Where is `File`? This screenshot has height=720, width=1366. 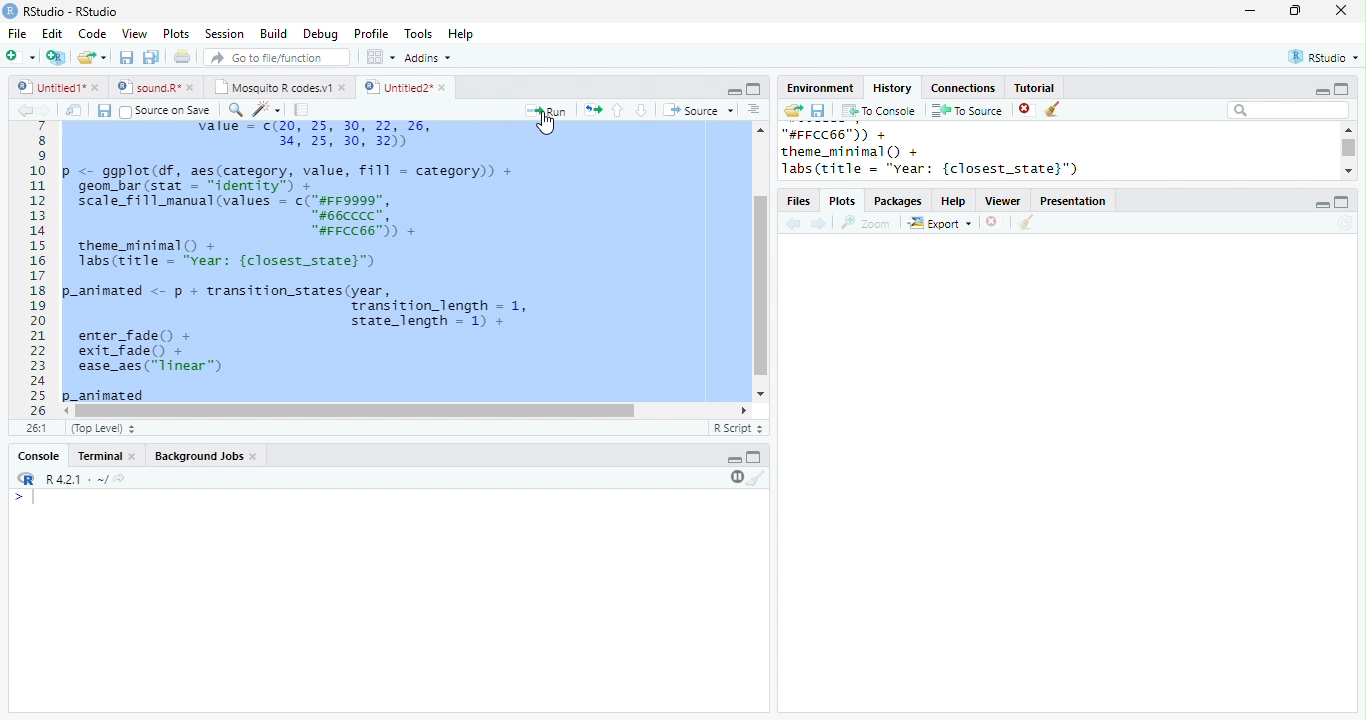 File is located at coordinates (19, 34).